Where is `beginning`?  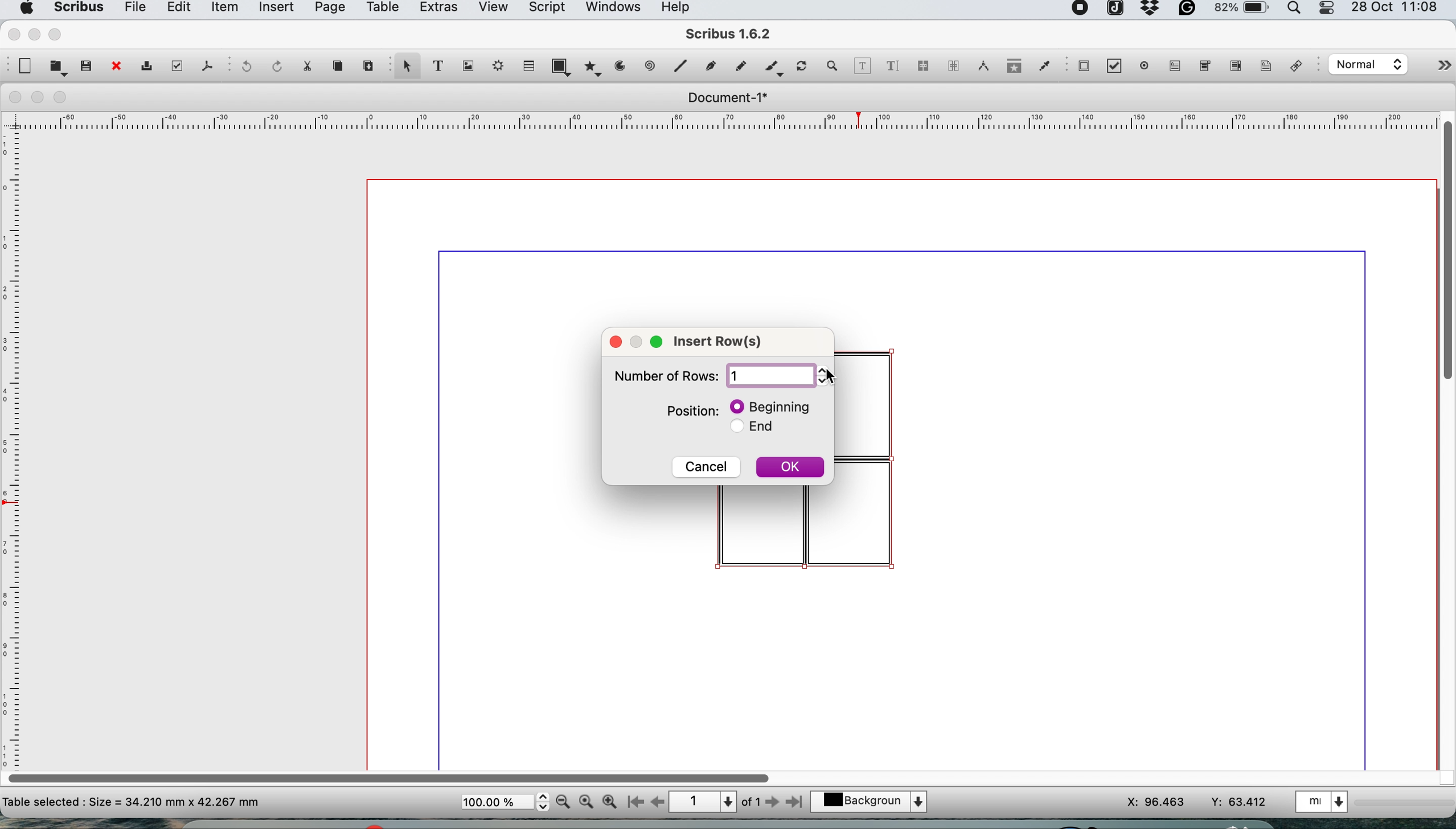 beginning is located at coordinates (773, 406).